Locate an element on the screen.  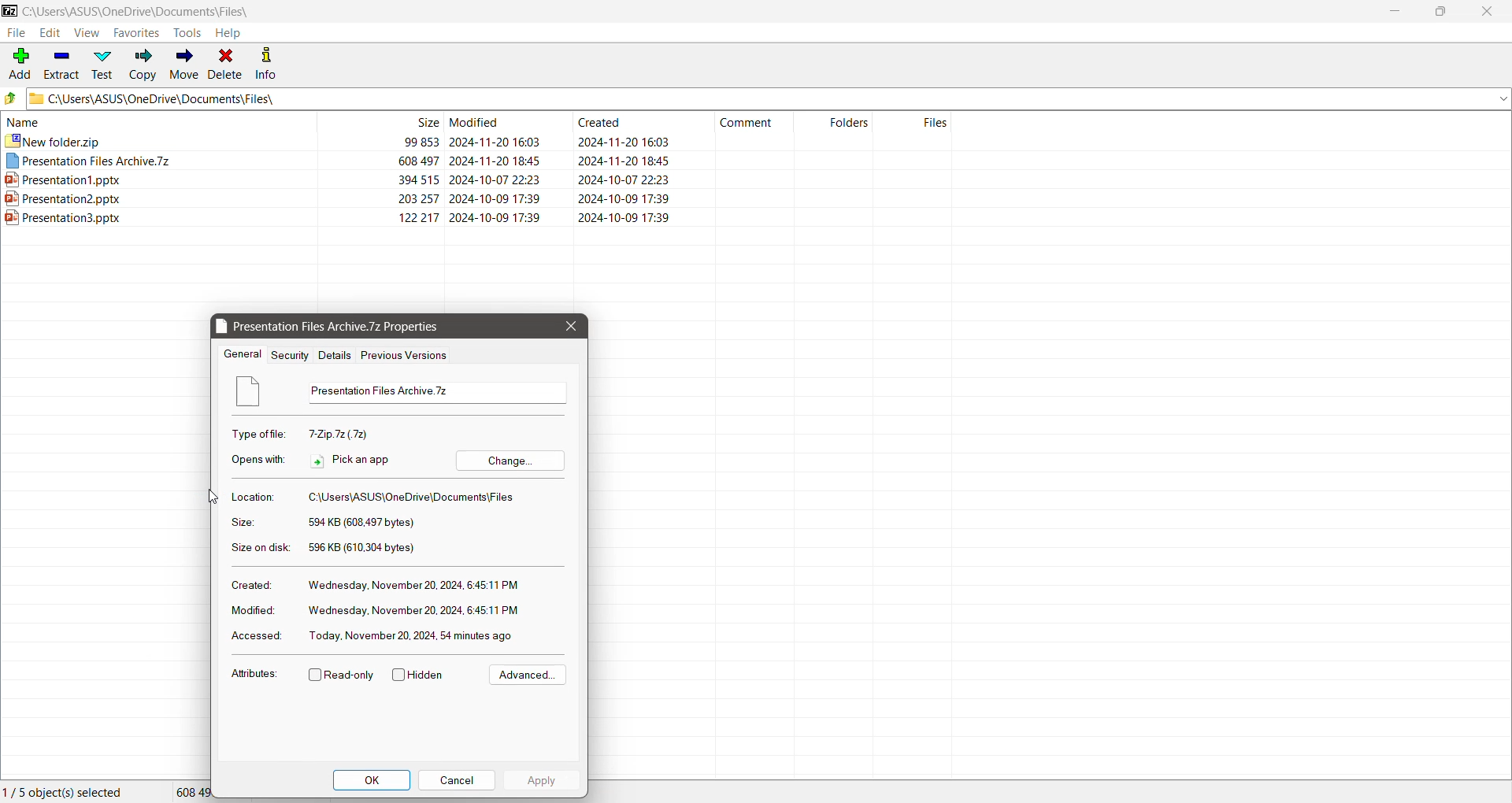
Archive File Icon is located at coordinates (256, 392).